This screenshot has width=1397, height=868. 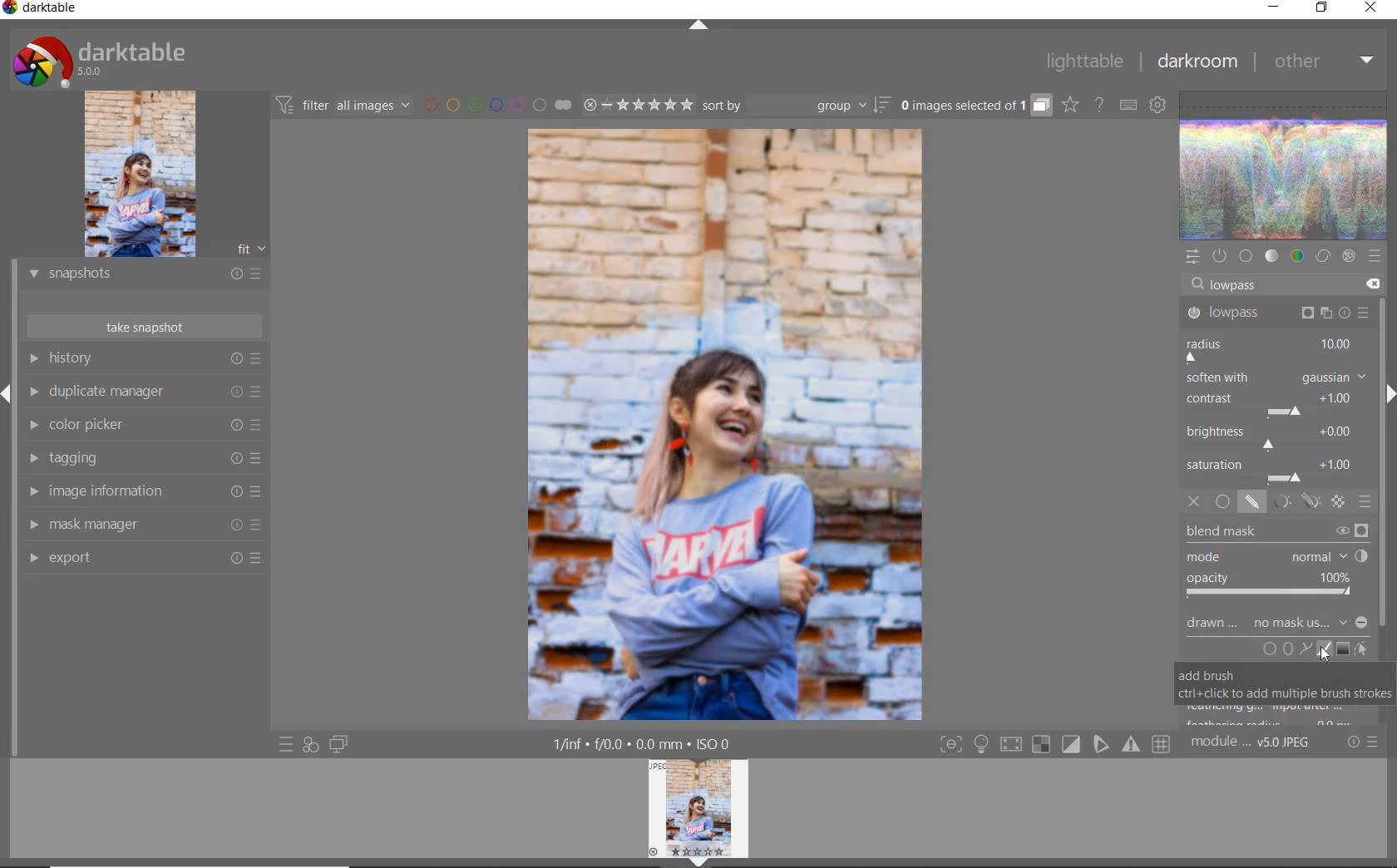 What do you see at coordinates (703, 812) in the screenshot?
I see `image preview` at bounding box center [703, 812].